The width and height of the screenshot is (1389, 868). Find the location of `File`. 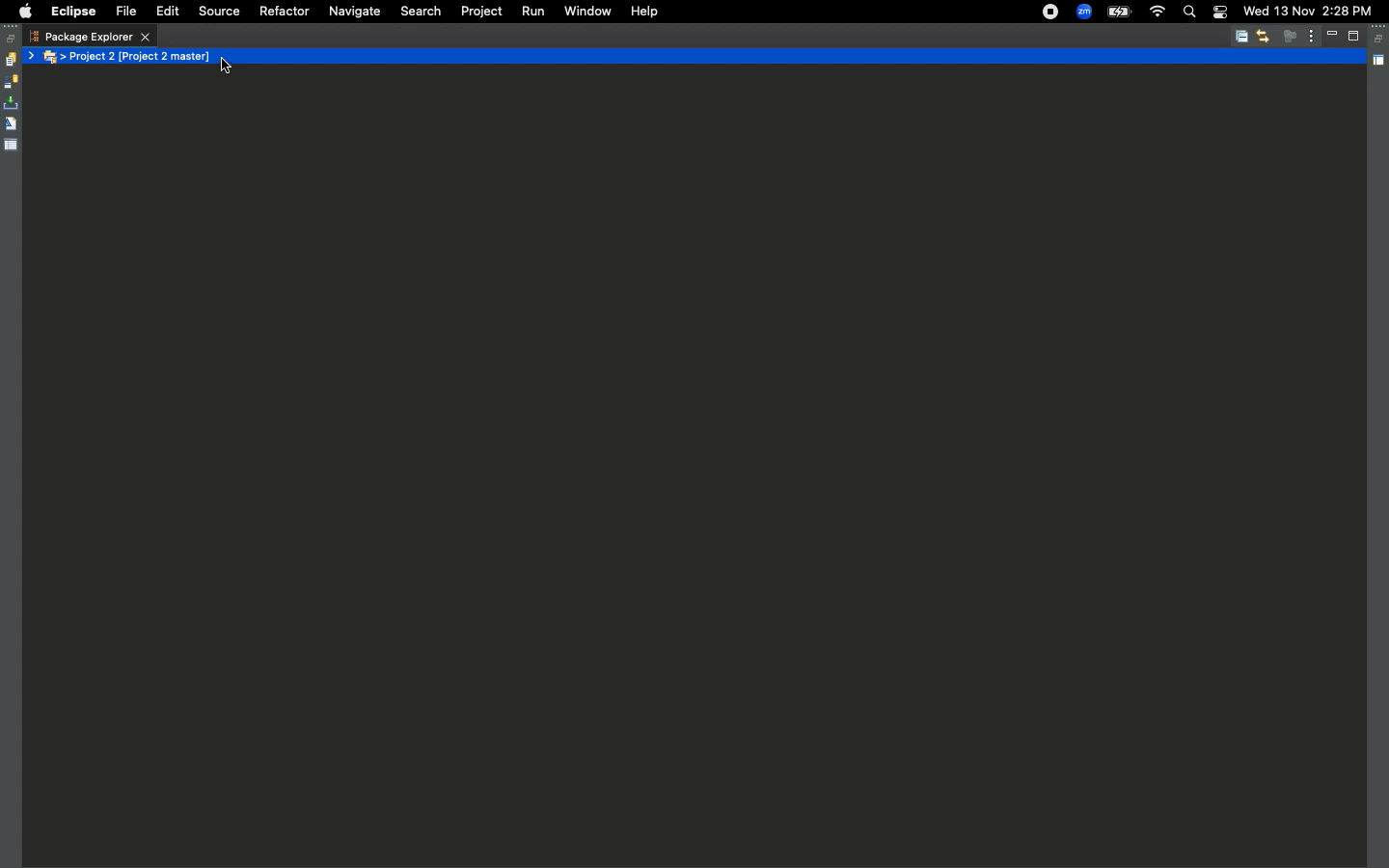

File is located at coordinates (124, 13).